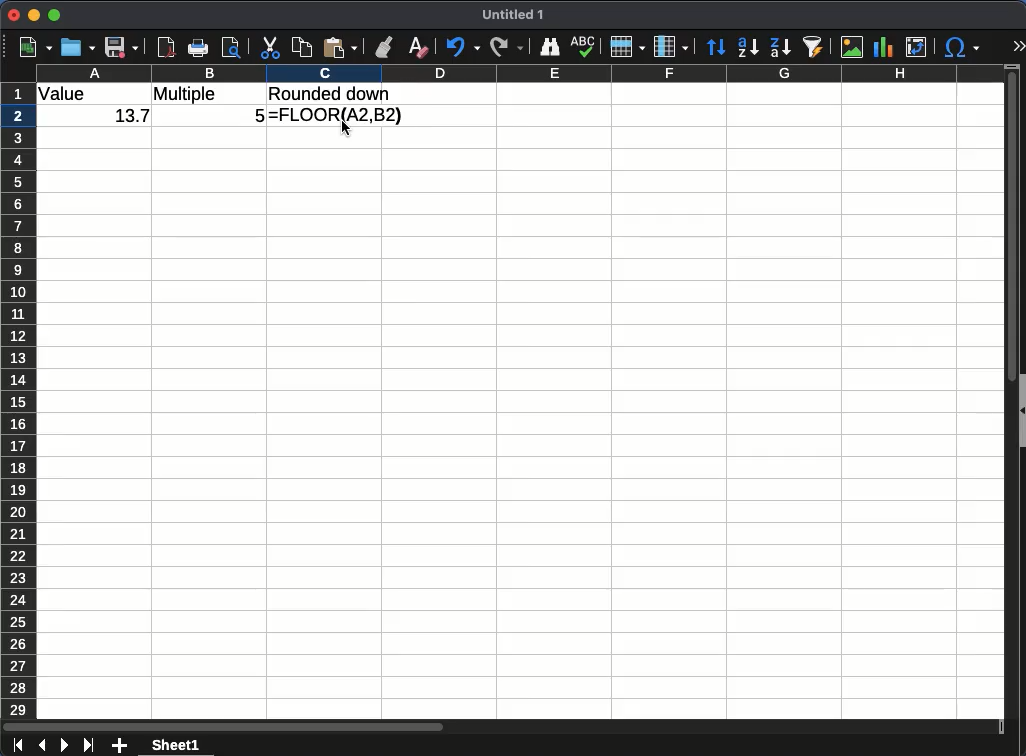 This screenshot has height=756, width=1026. What do you see at coordinates (15, 14) in the screenshot?
I see `close` at bounding box center [15, 14].